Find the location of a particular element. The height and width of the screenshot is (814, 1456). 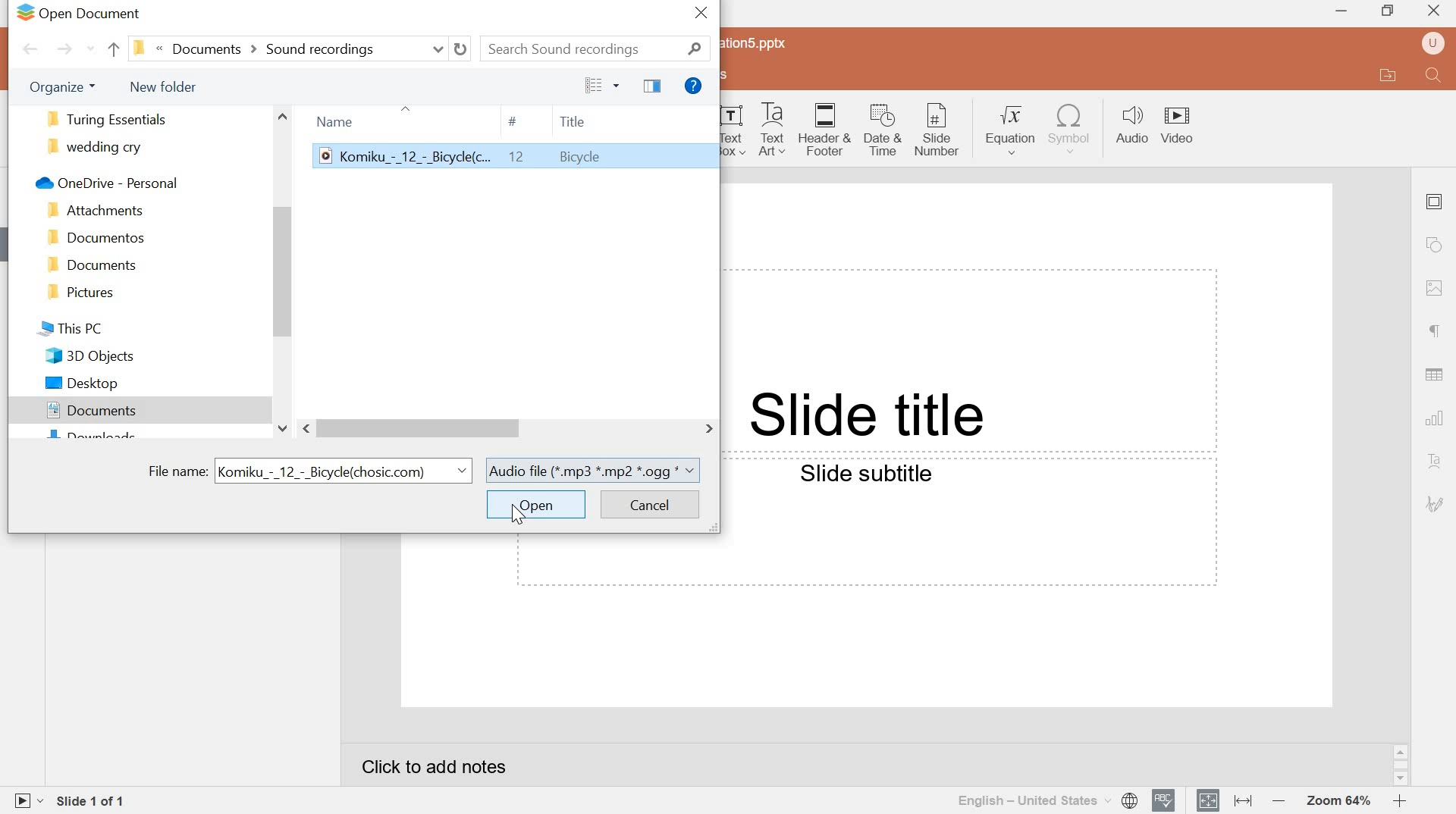

Image is located at coordinates (1436, 288).